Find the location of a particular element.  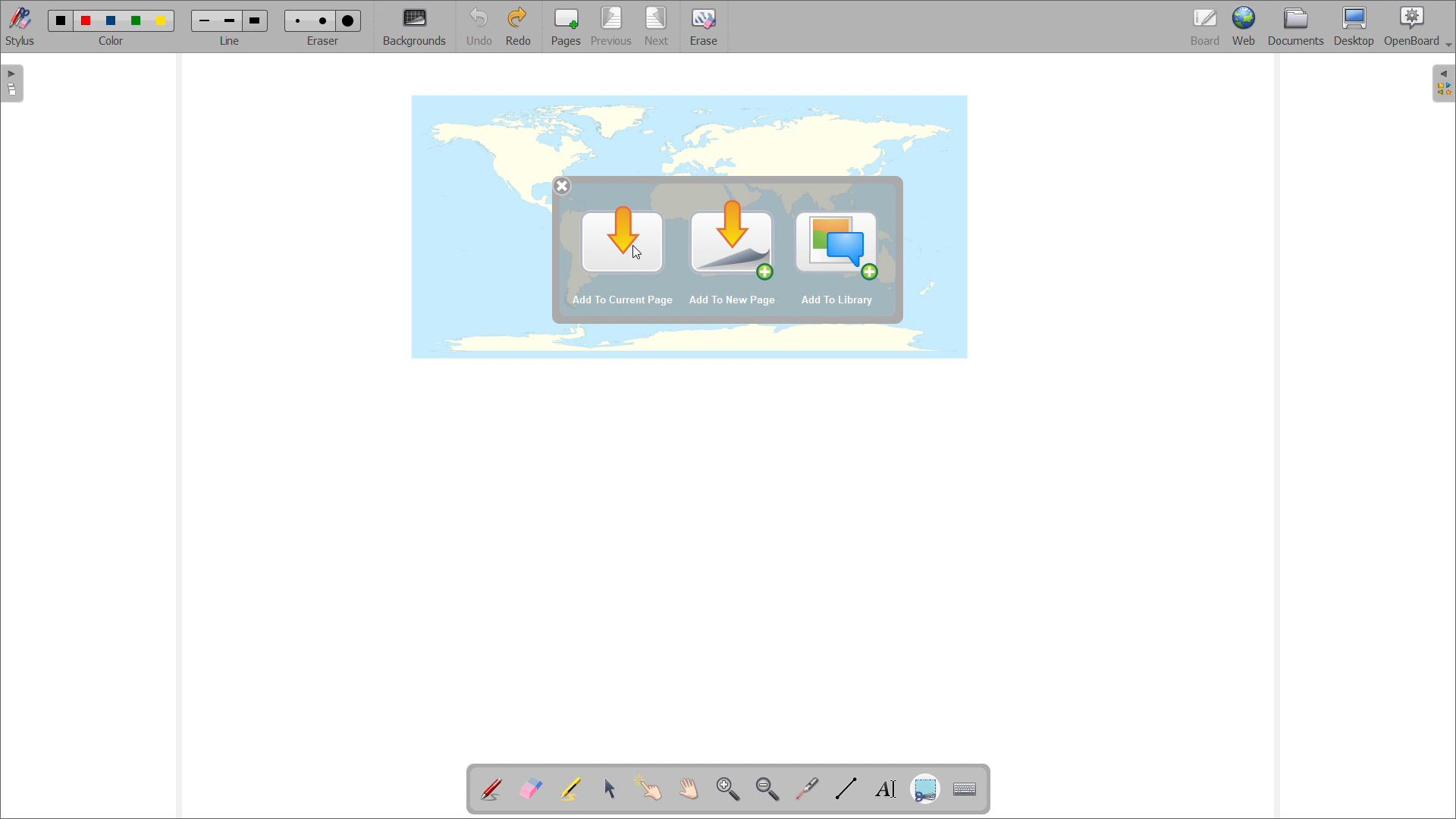

board is located at coordinates (1207, 27).